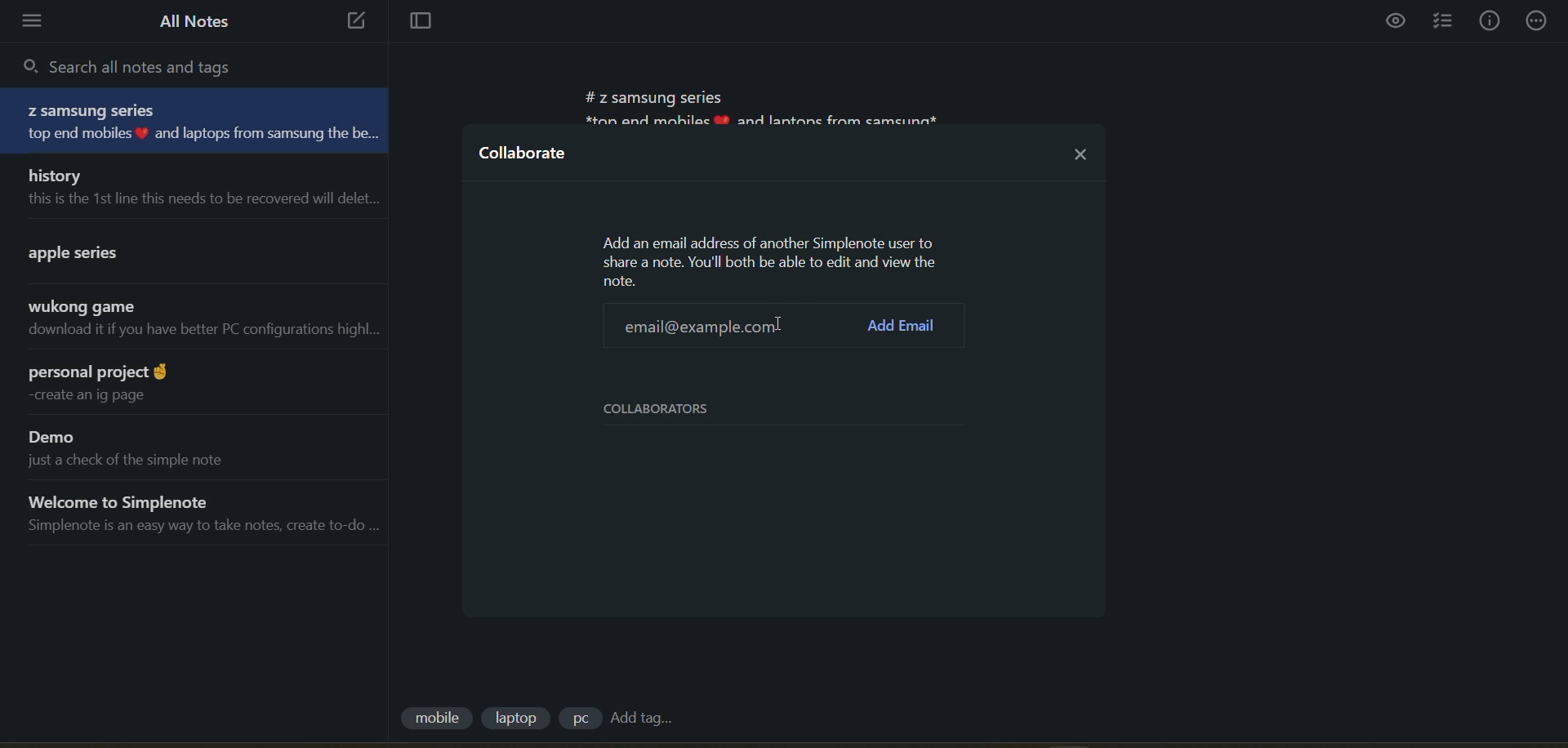 Image resolution: width=1568 pixels, height=748 pixels. Describe the element at coordinates (1081, 149) in the screenshot. I see `close` at that location.